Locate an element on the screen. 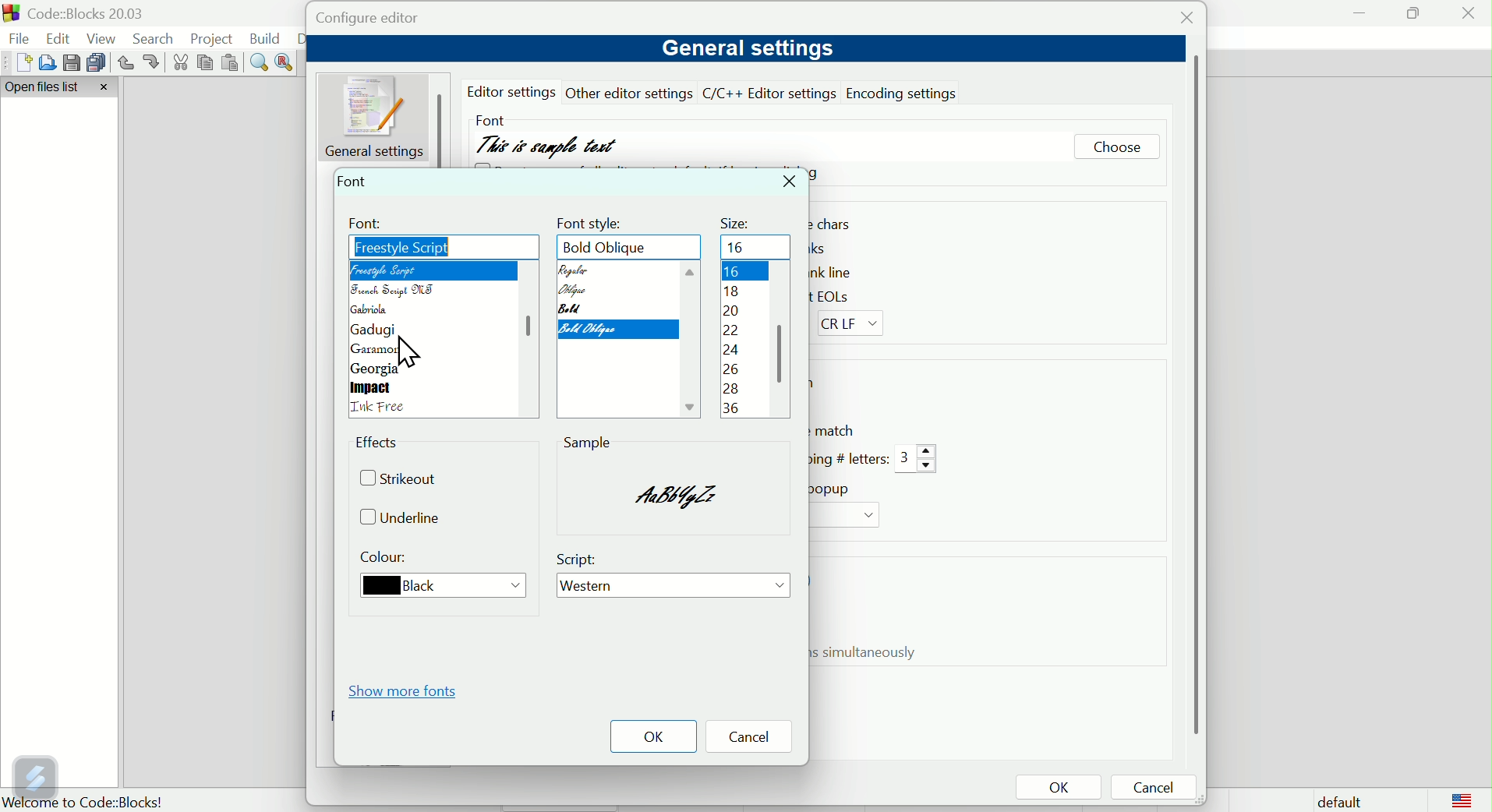 The width and height of the screenshot is (1492, 812). other editor settings is located at coordinates (631, 93).